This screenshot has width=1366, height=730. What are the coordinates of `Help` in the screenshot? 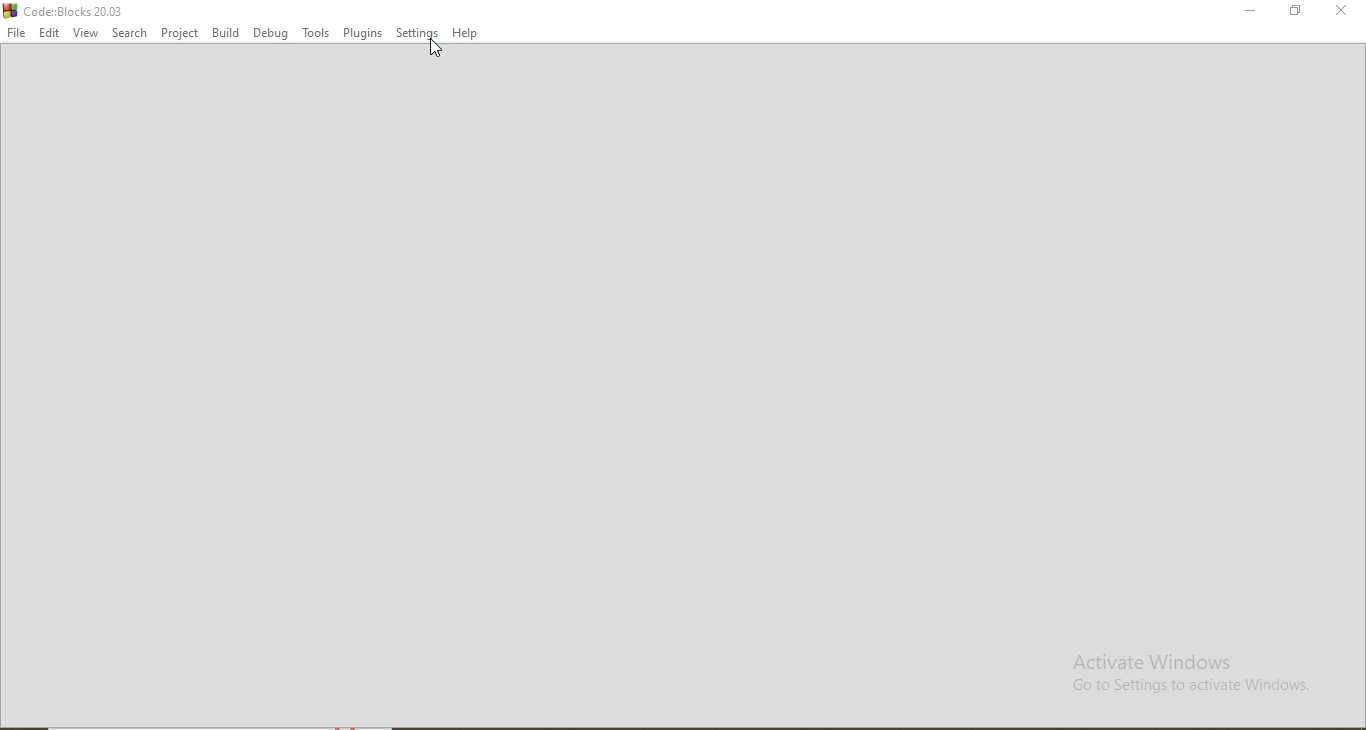 It's located at (468, 34).